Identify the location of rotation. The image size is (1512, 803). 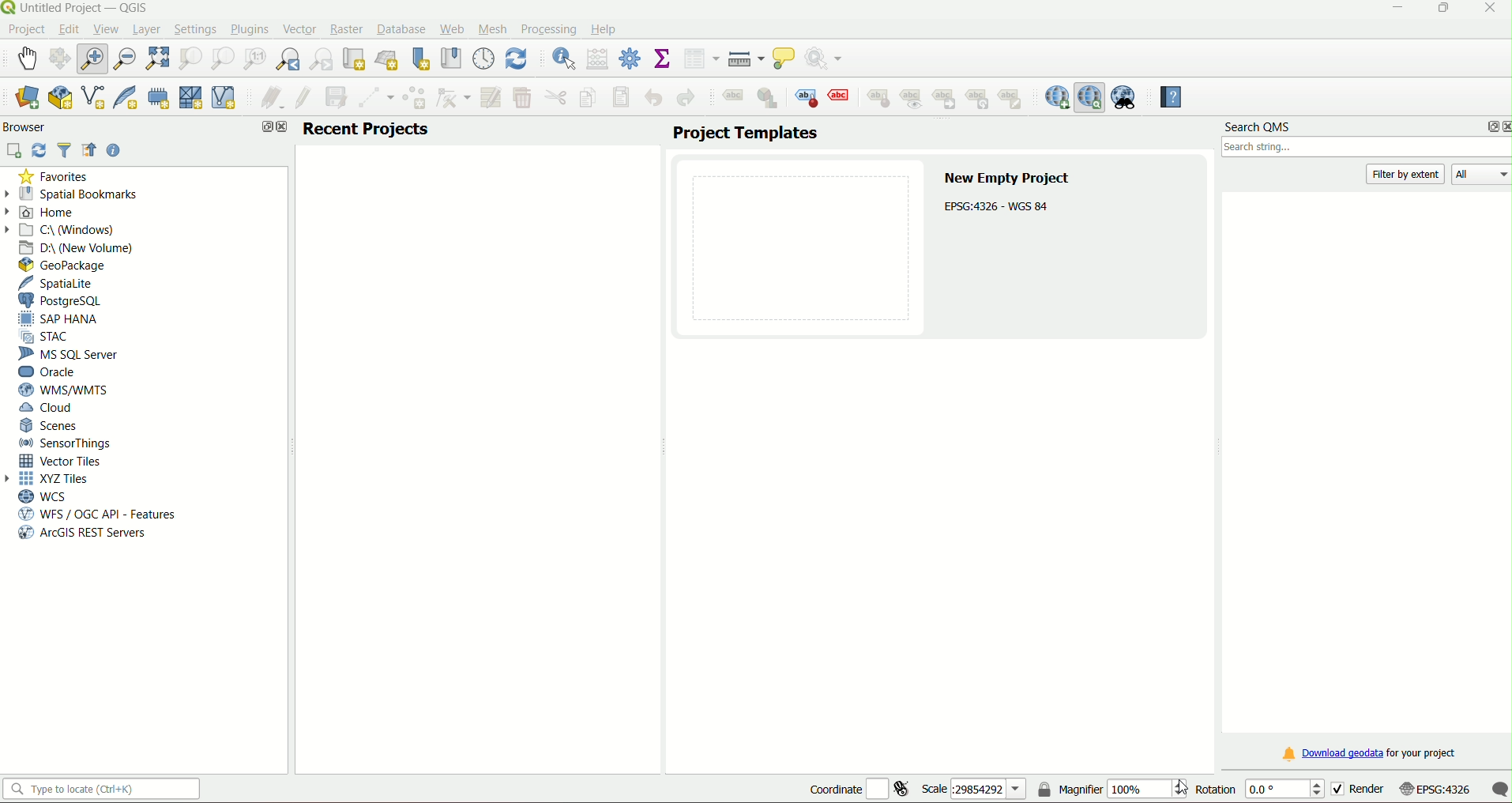
(1258, 790).